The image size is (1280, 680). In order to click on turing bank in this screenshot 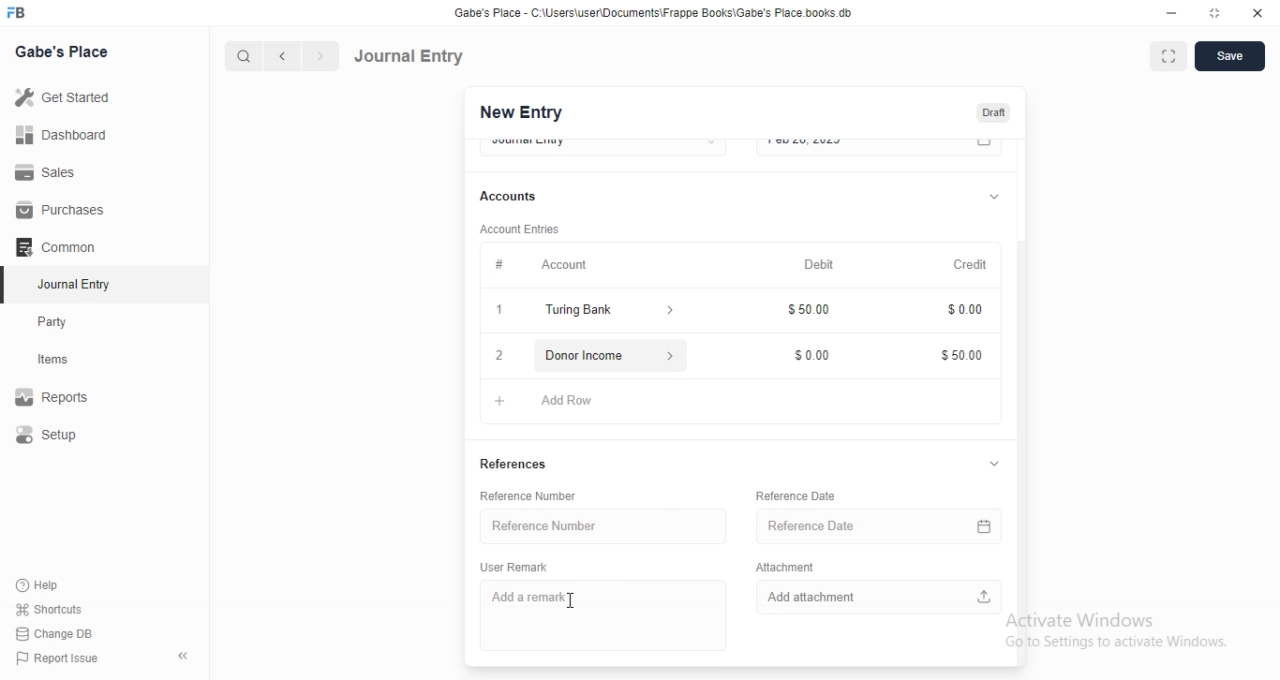, I will do `click(605, 312)`.